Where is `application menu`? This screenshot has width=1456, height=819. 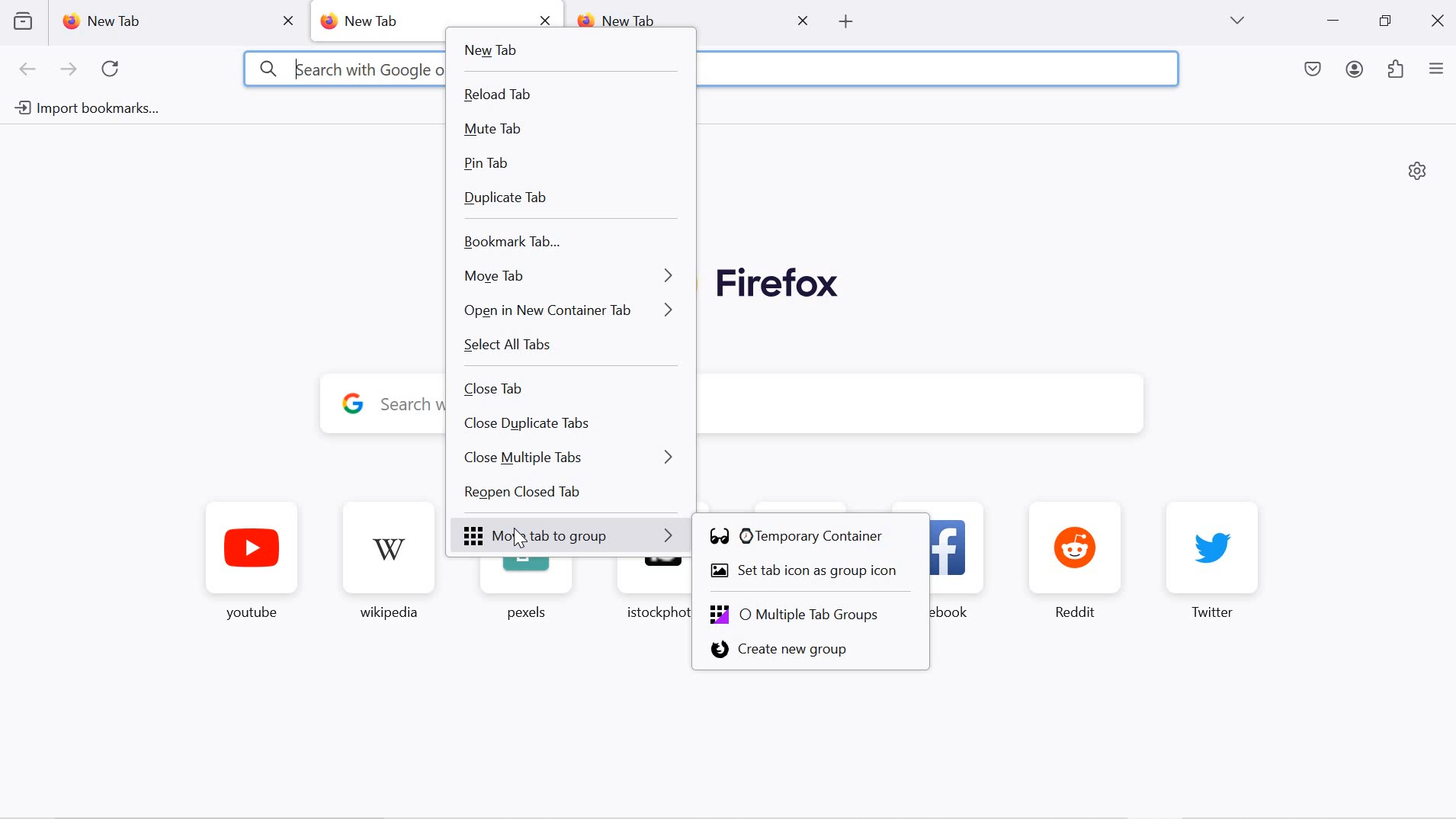 application menu is located at coordinates (1436, 70).